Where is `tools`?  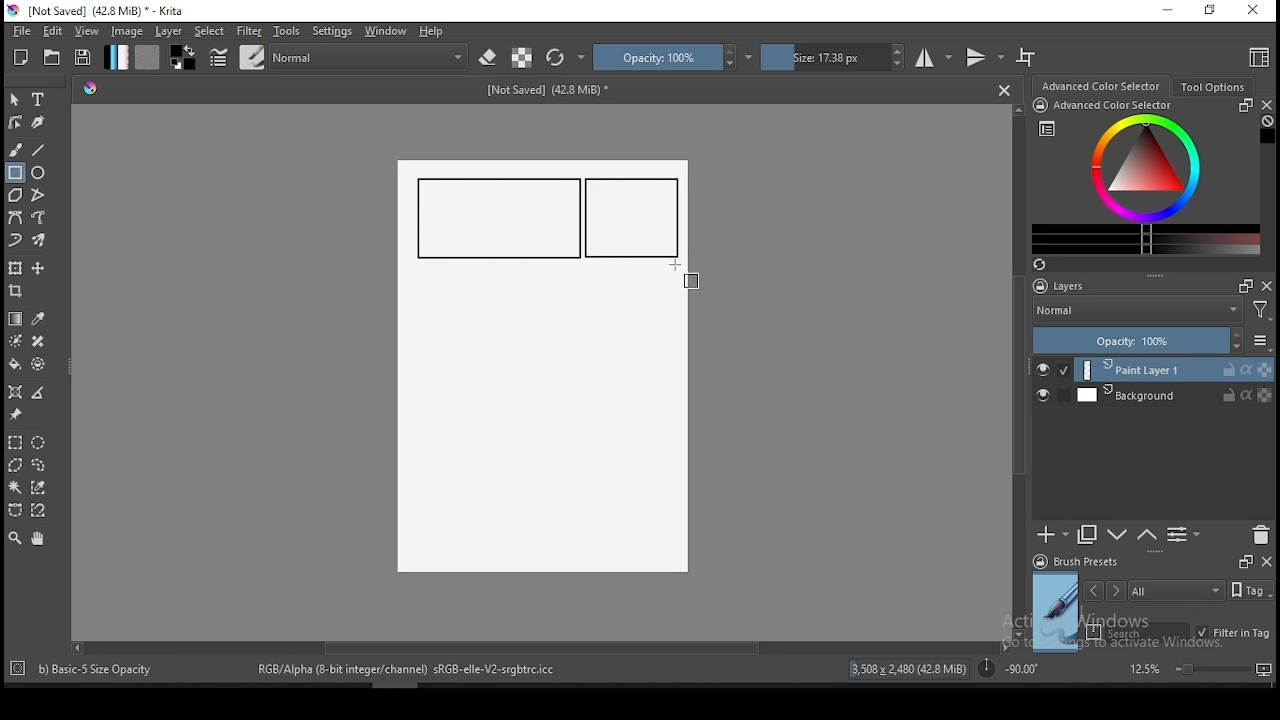
tools is located at coordinates (287, 31).